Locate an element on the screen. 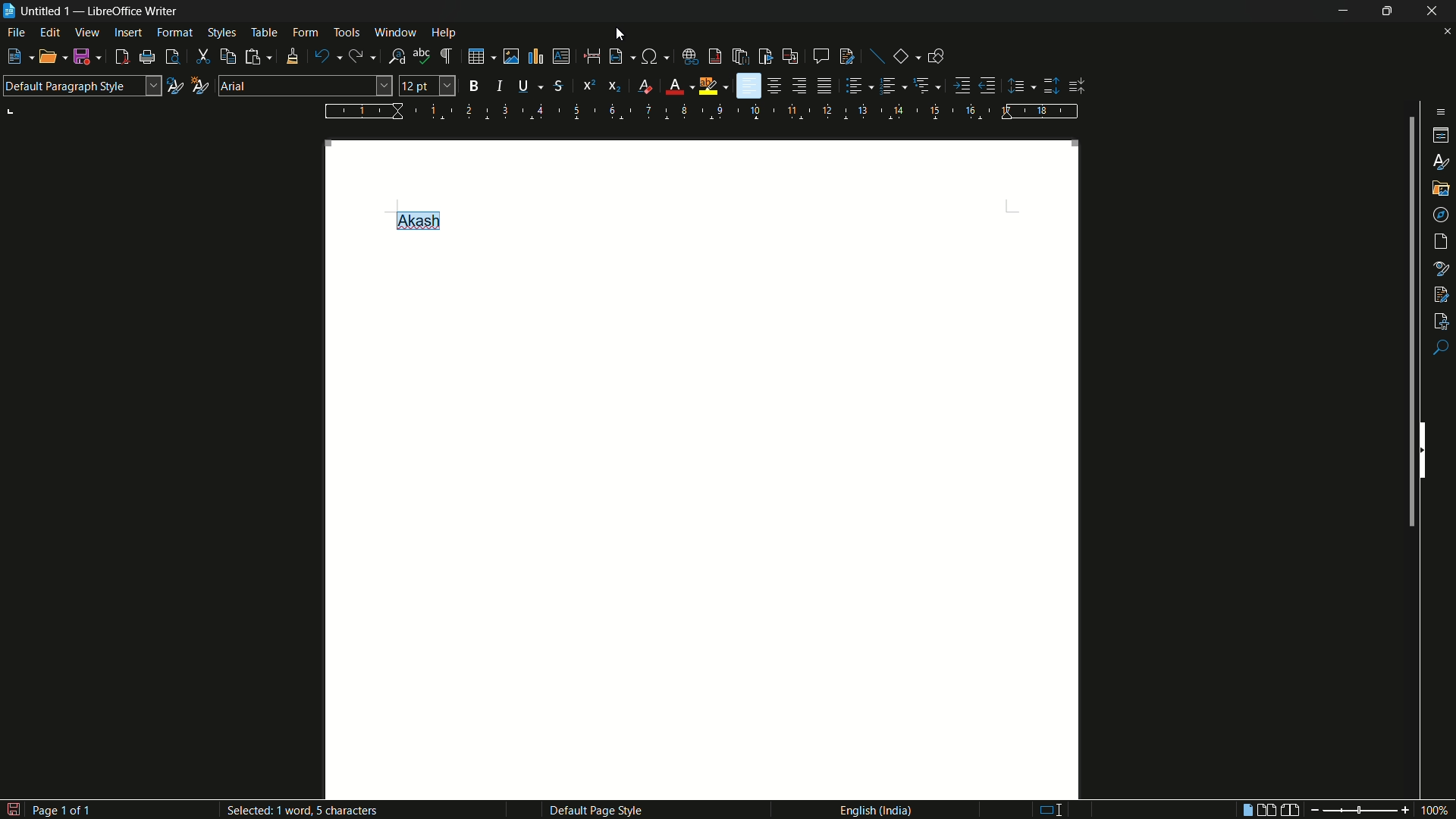  single page is located at coordinates (1244, 811).